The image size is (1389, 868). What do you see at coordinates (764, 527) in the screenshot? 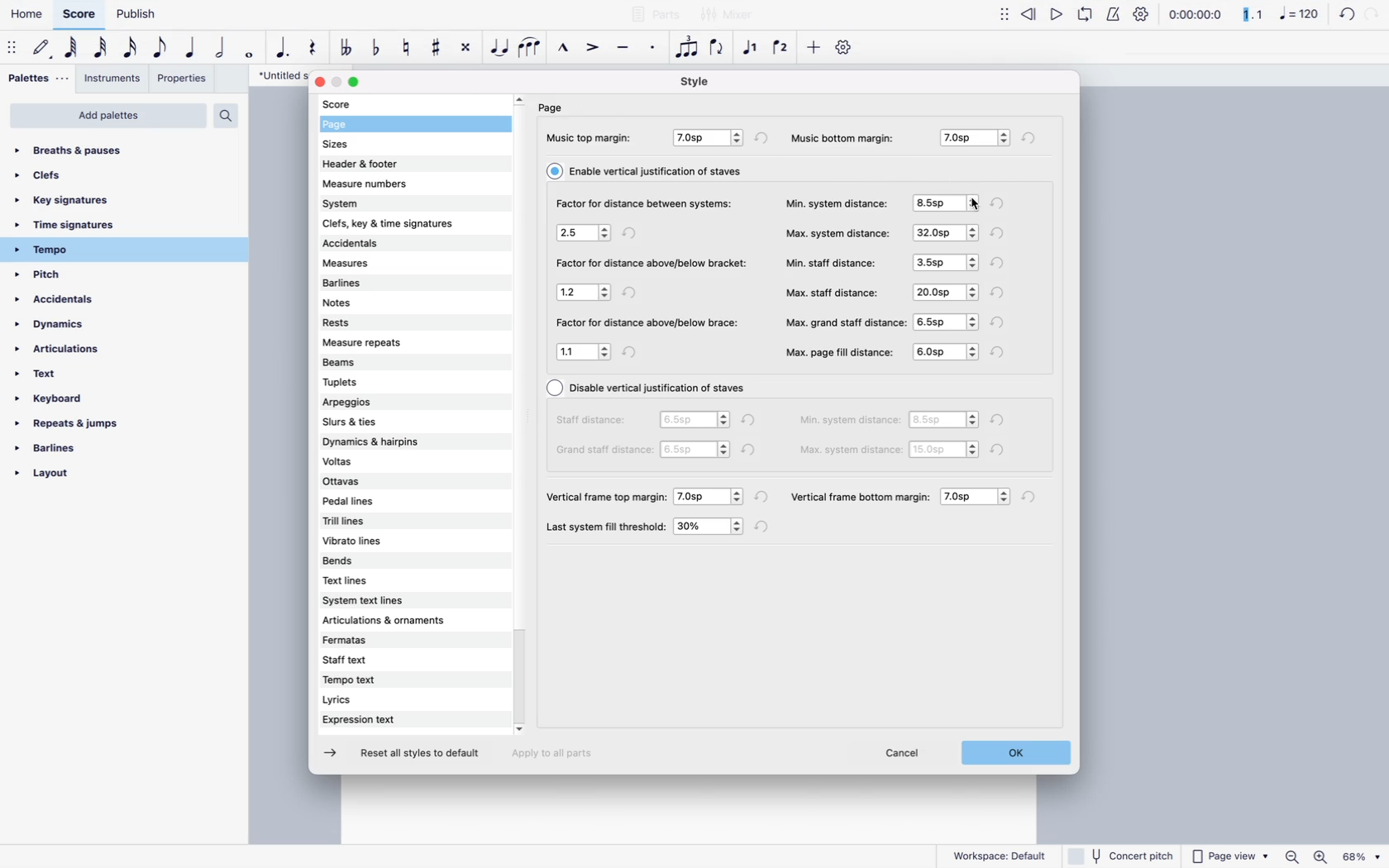
I see `refresh` at bounding box center [764, 527].